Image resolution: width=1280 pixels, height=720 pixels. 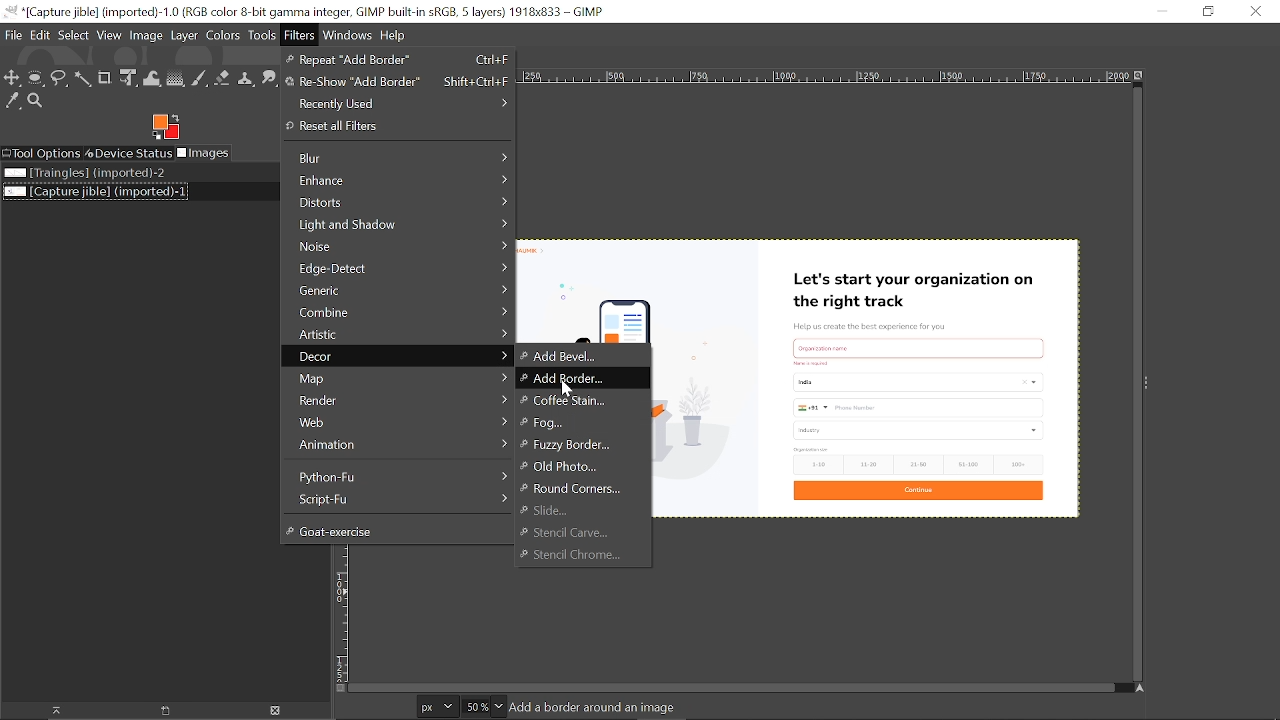 I want to click on Images, so click(x=205, y=153).